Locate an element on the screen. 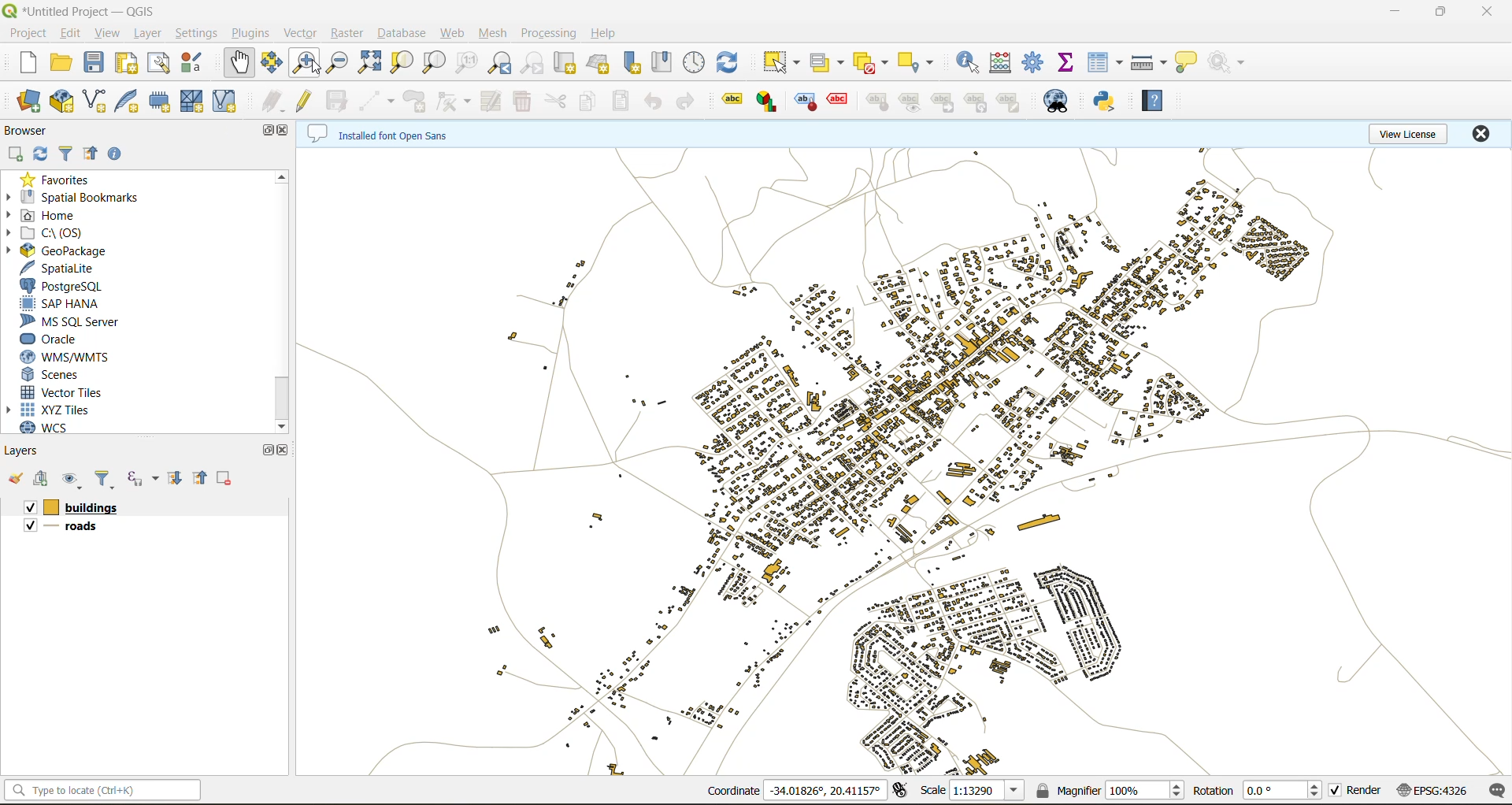 Image resolution: width=1512 pixels, height=805 pixels. plugins is located at coordinates (249, 34).